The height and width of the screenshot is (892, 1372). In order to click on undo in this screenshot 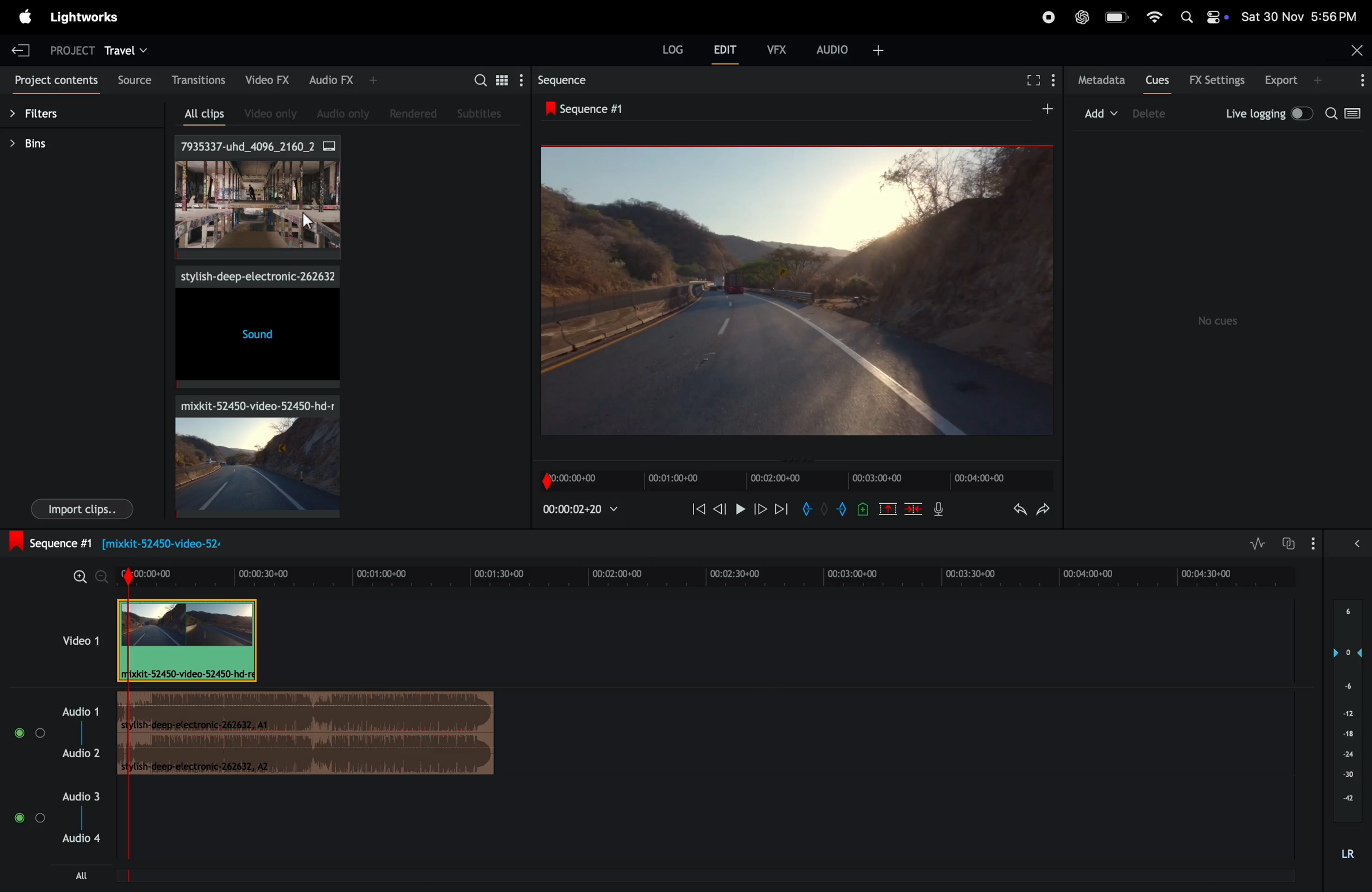, I will do `click(1012, 511)`.